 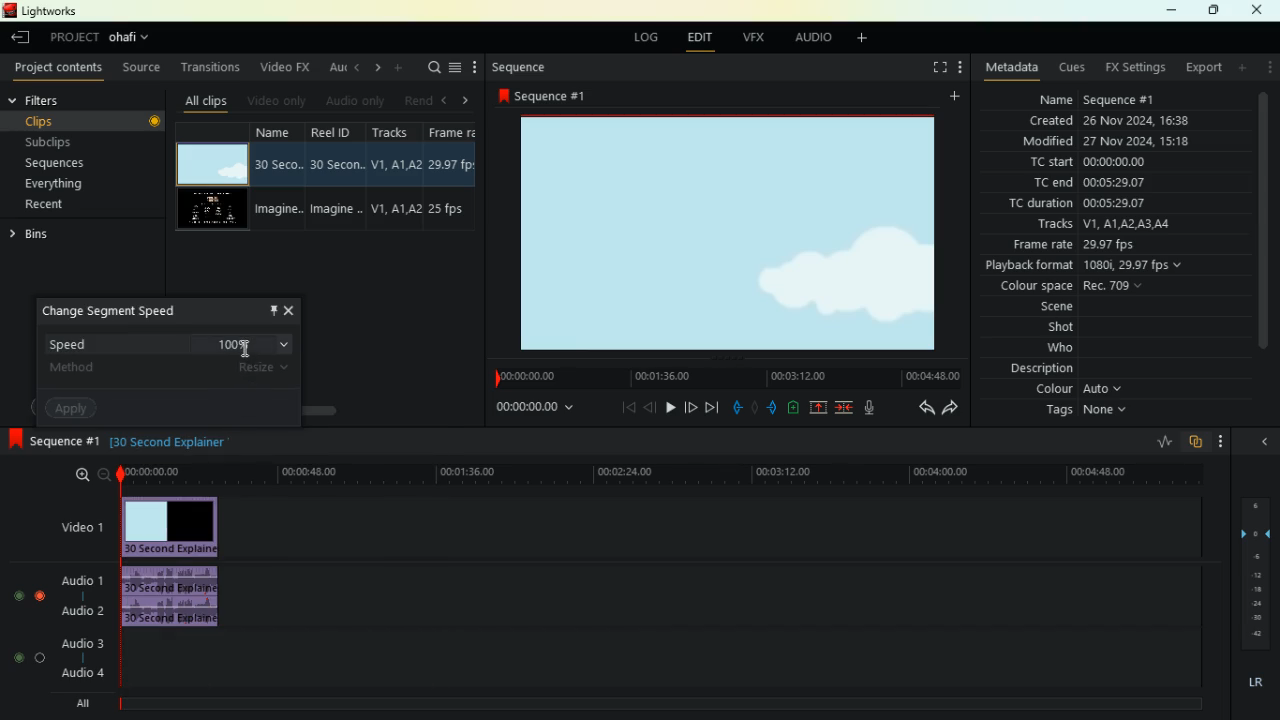 I want to click on transitions, so click(x=213, y=69).